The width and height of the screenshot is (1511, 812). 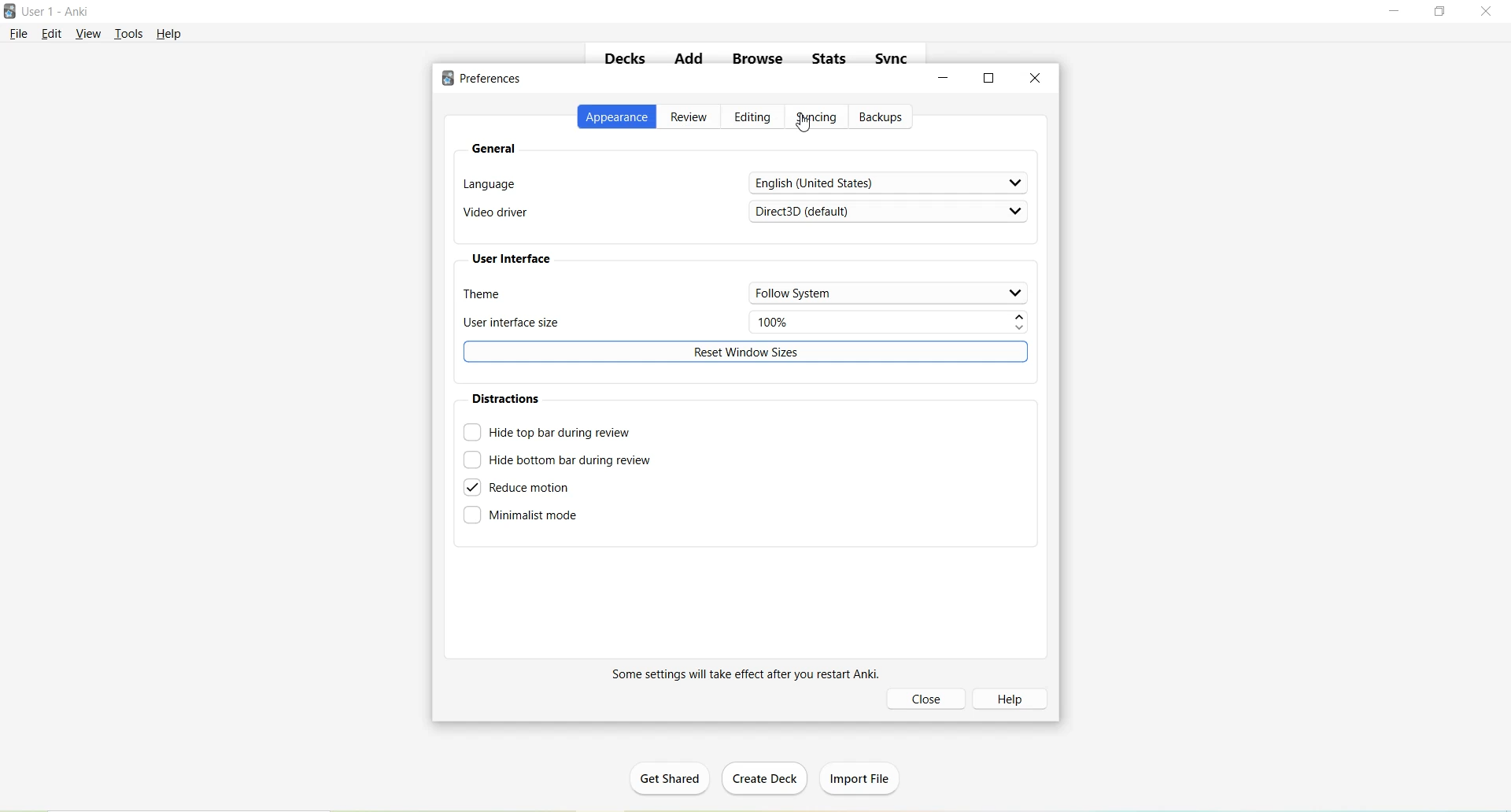 I want to click on Minimize, so click(x=945, y=78).